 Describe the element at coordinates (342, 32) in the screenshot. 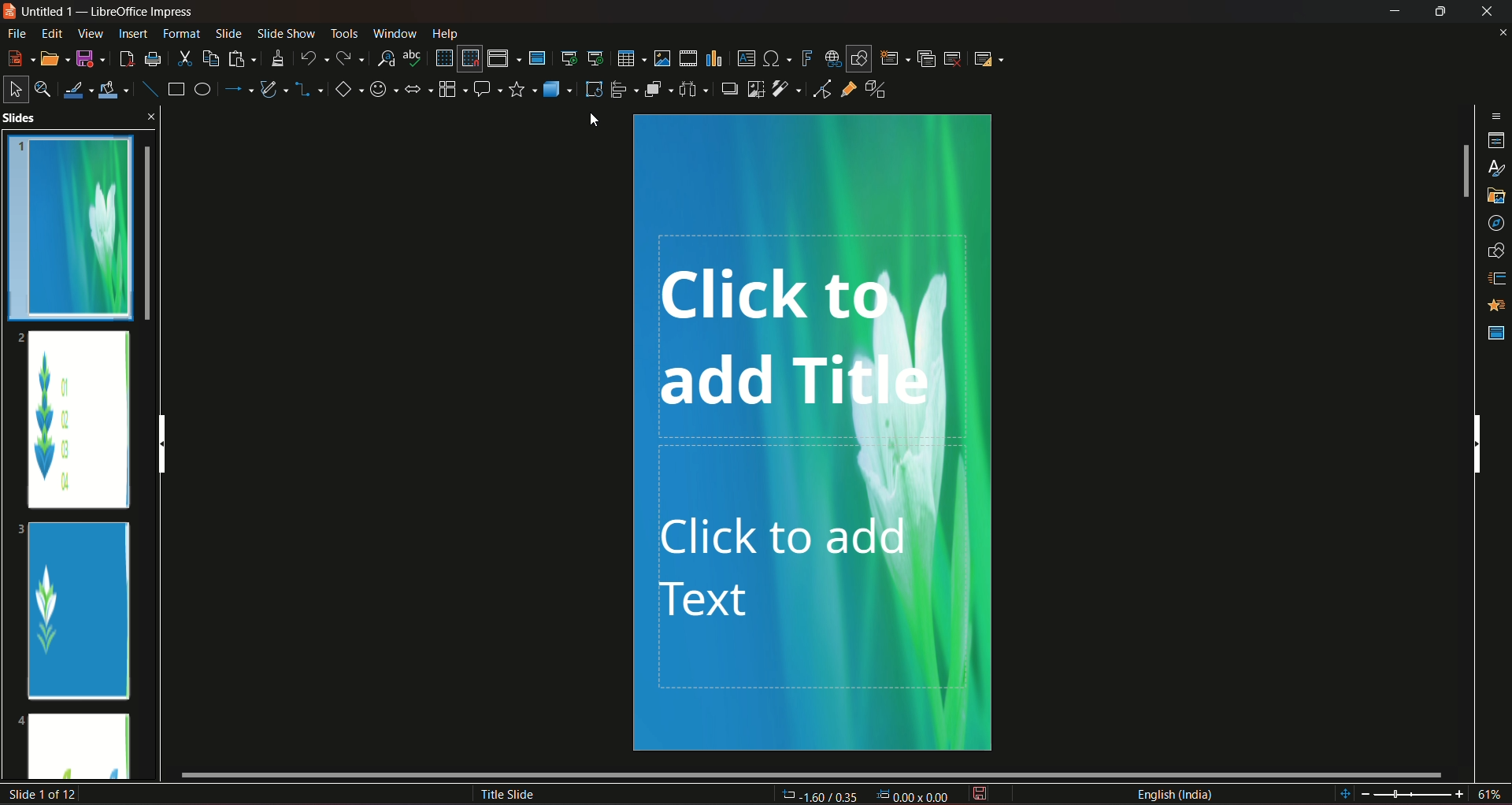

I see `tools` at that location.